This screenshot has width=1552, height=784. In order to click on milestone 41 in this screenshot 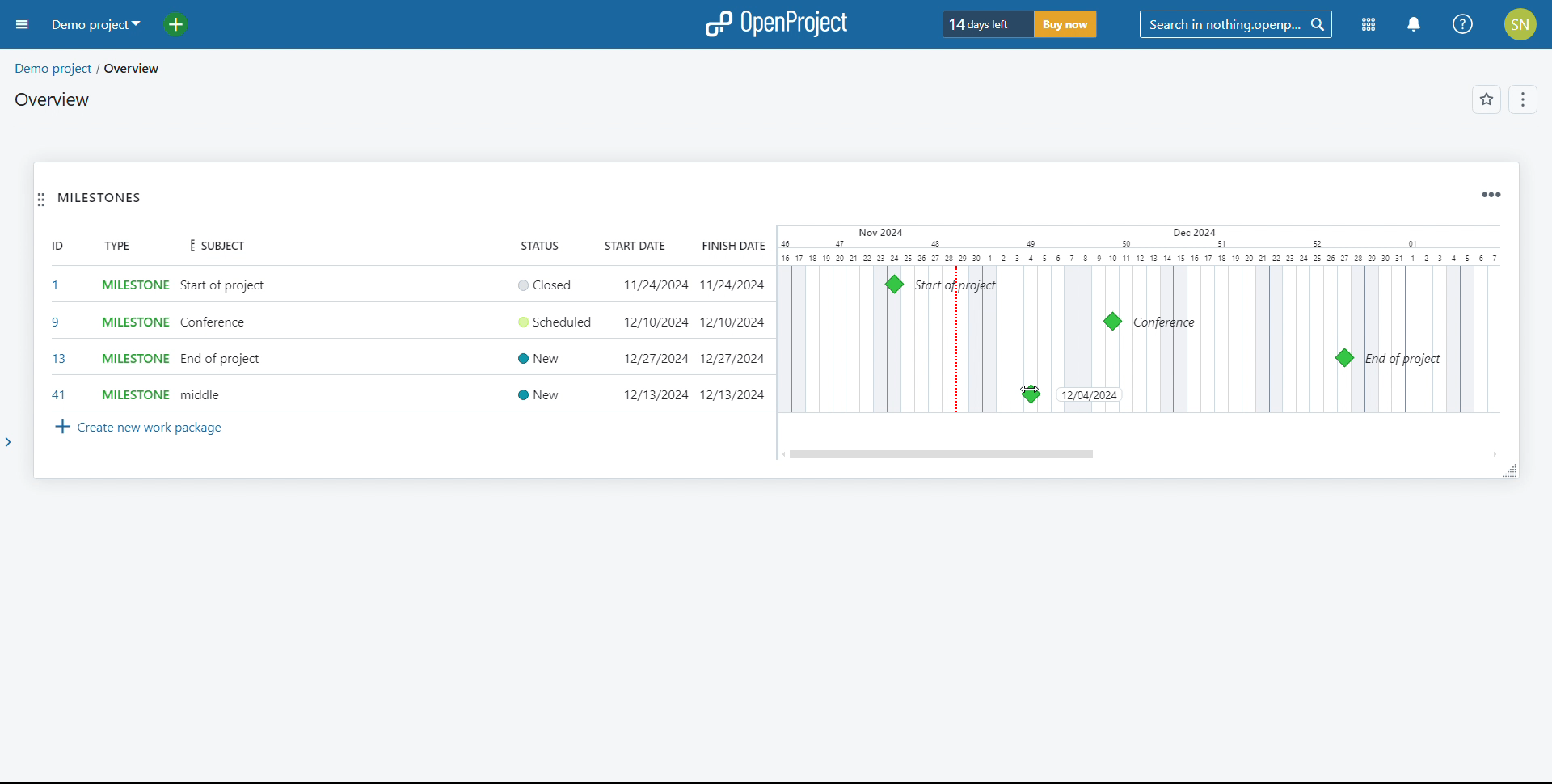, I will do `click(1153, 394)`.